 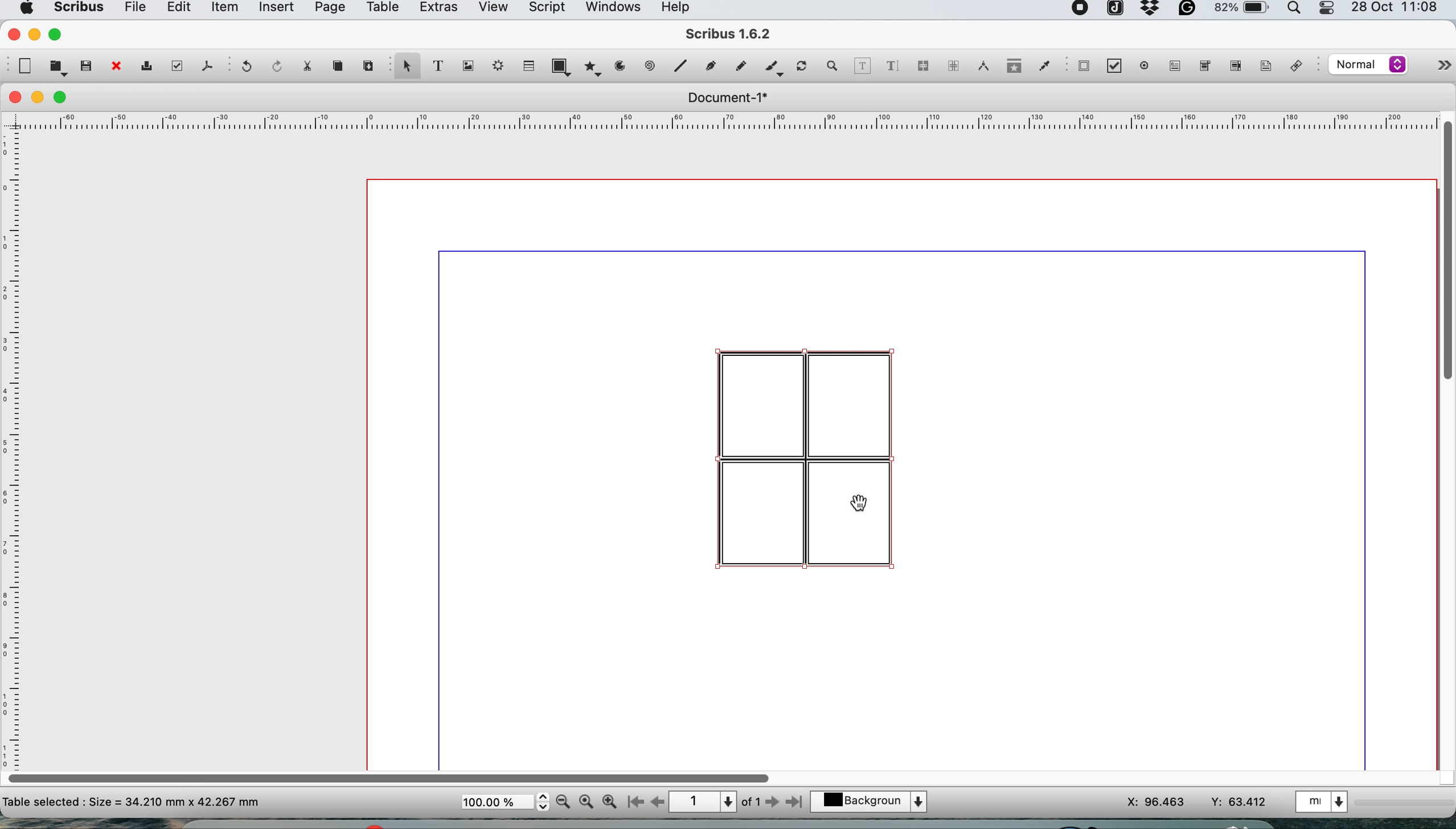 What do you see at coordinates (274, 65) in the screenshot?
I see `redo` at bounding box center [274, 65].